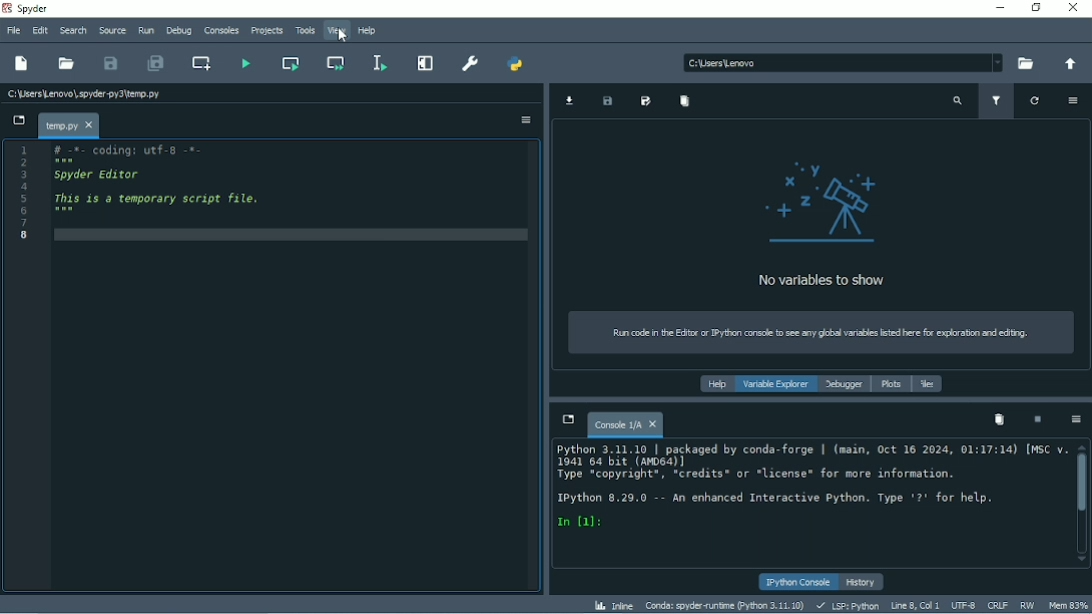 The image size is (1092, 614). Describe the element at coordinates (570, 100) in the screenshot. I see `Import data` at that location.